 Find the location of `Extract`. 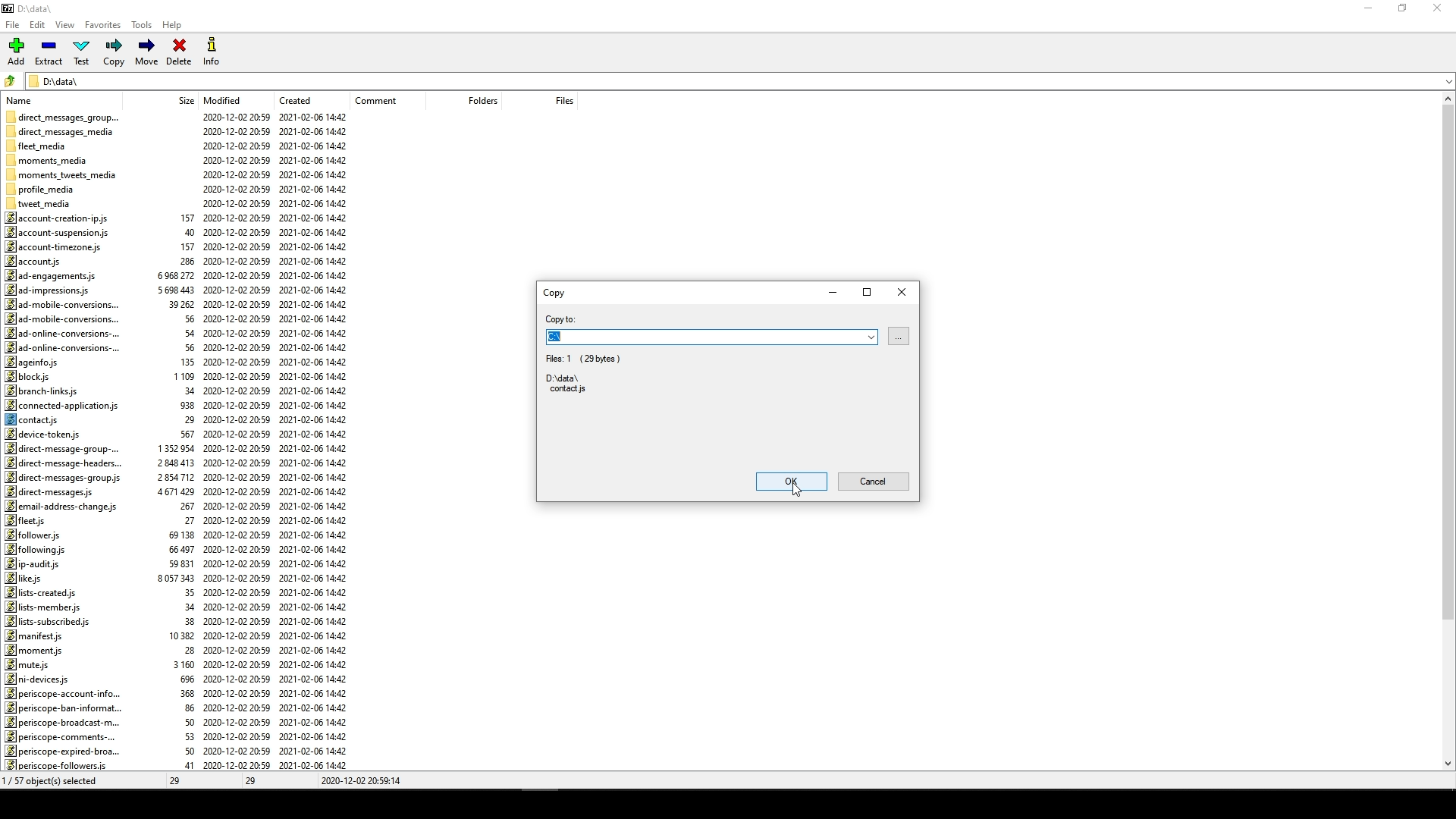

Extract is located at coordinates (51, 52).